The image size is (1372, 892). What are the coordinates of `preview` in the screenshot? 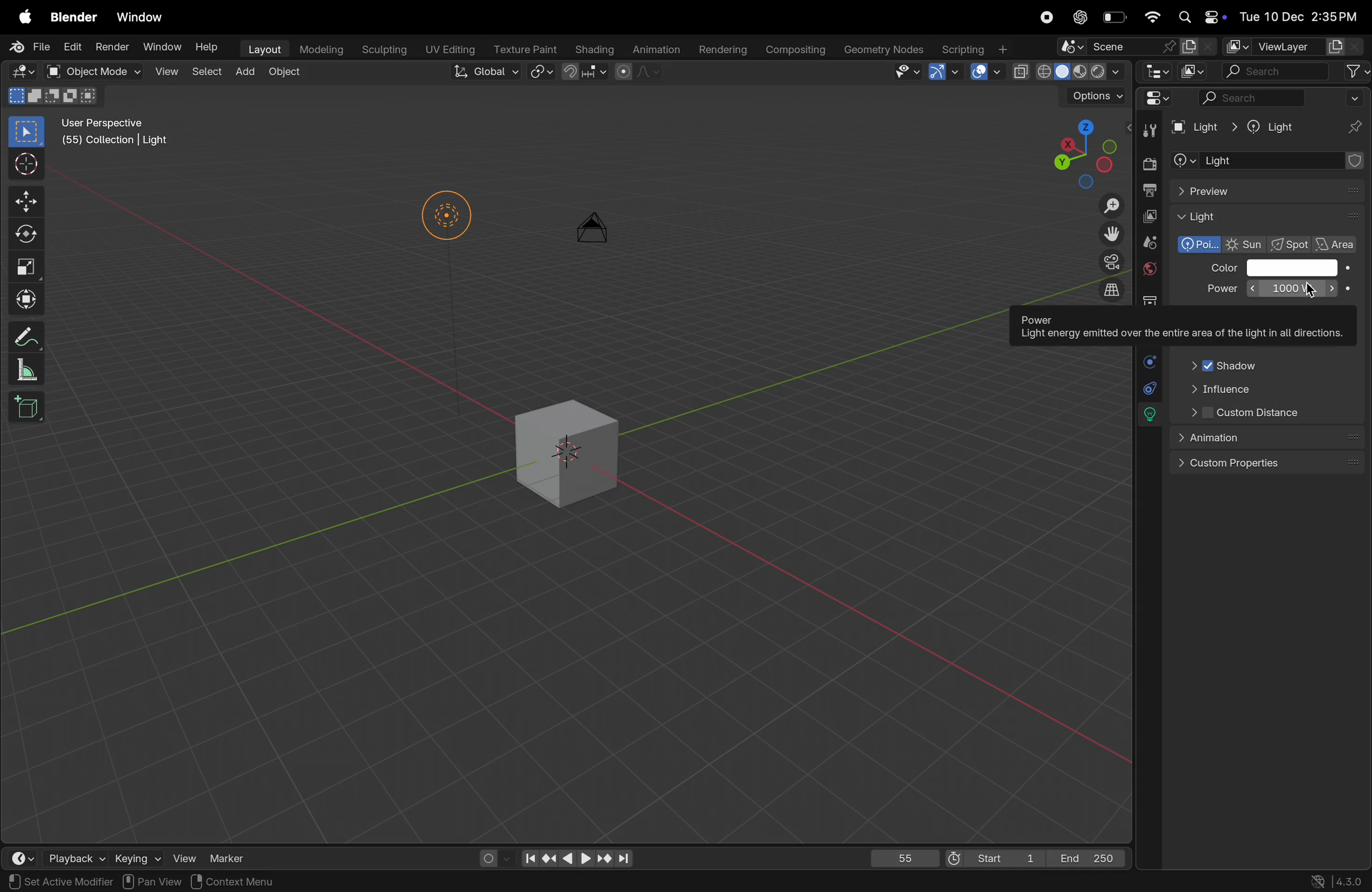 It's located at (1268, 190).